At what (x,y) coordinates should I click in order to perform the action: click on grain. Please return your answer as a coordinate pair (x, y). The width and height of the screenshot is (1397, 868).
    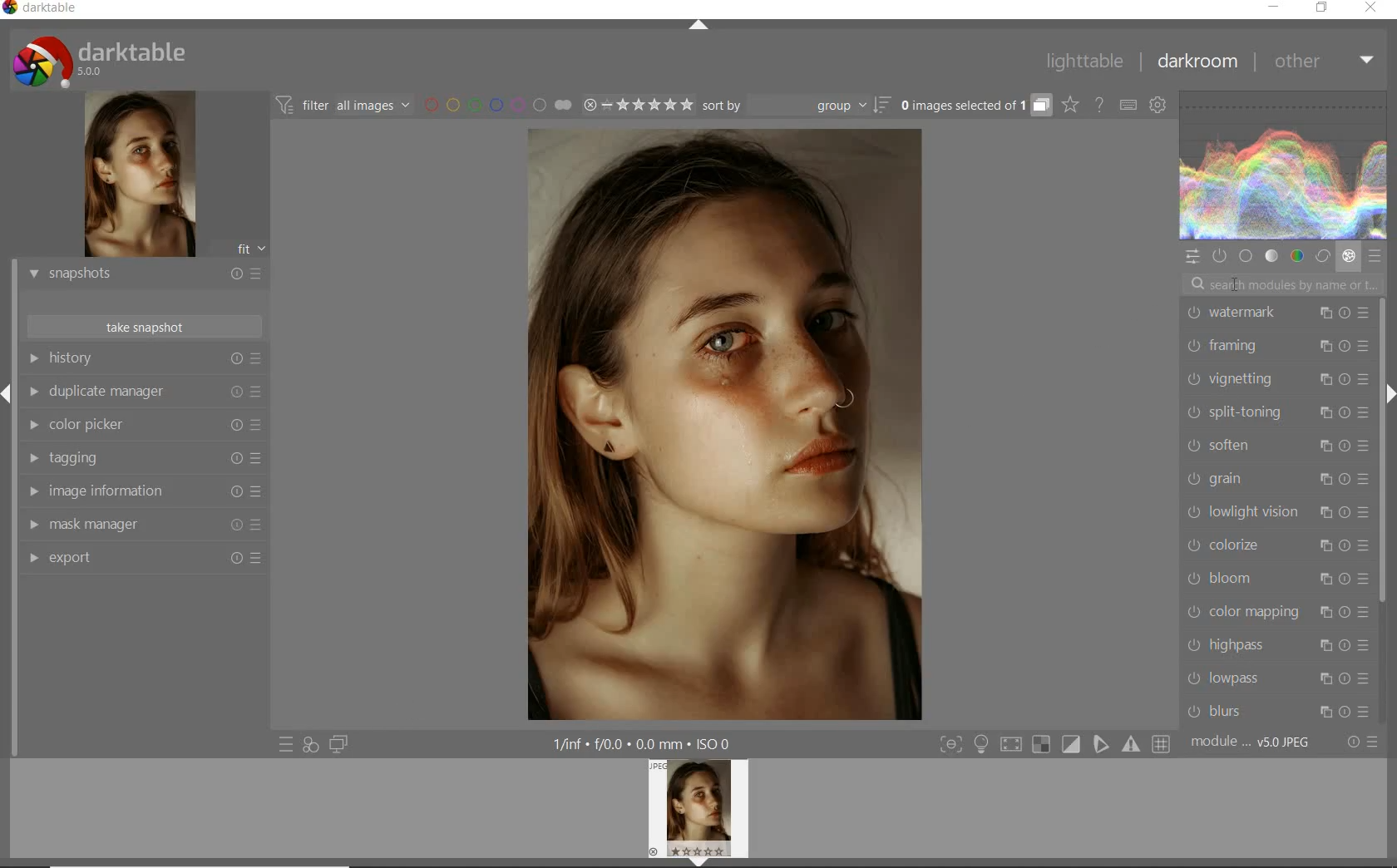
    Looking at the image, I should click on (1276, 481).